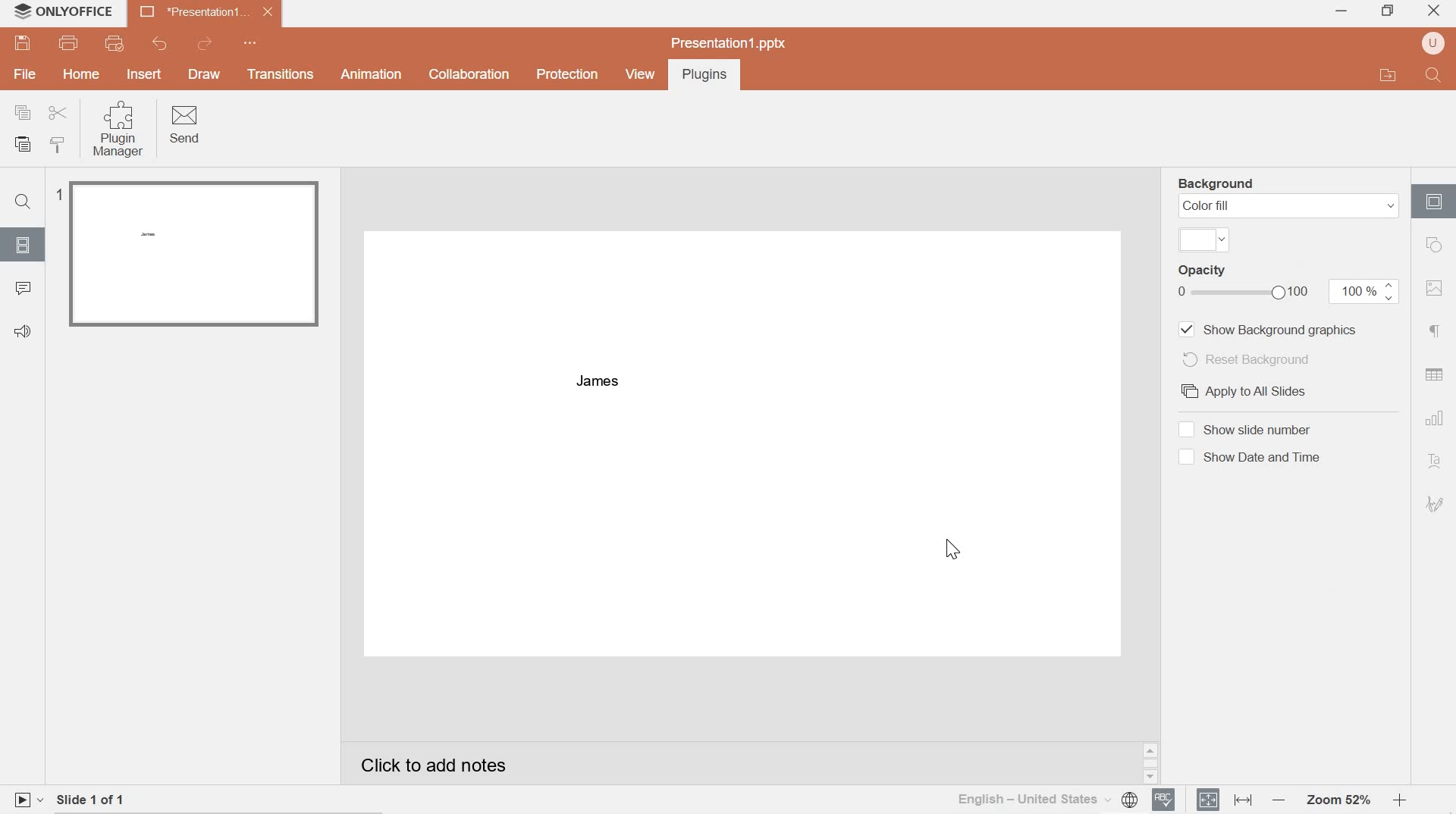 The image size is (1456, 814). I want to click on quick access toolbar, so click(253, 43).